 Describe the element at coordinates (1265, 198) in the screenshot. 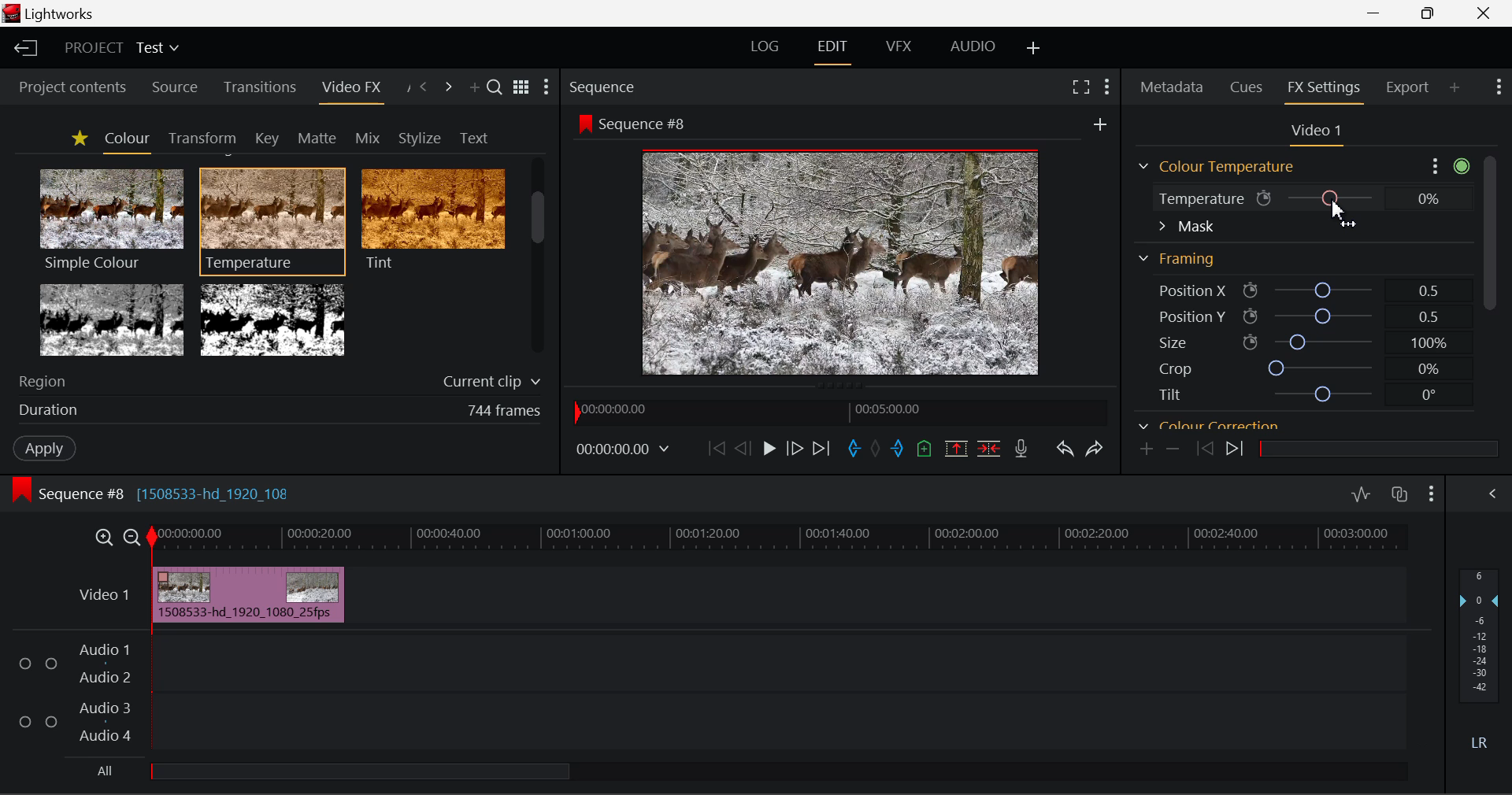

I see `icon` at that location.